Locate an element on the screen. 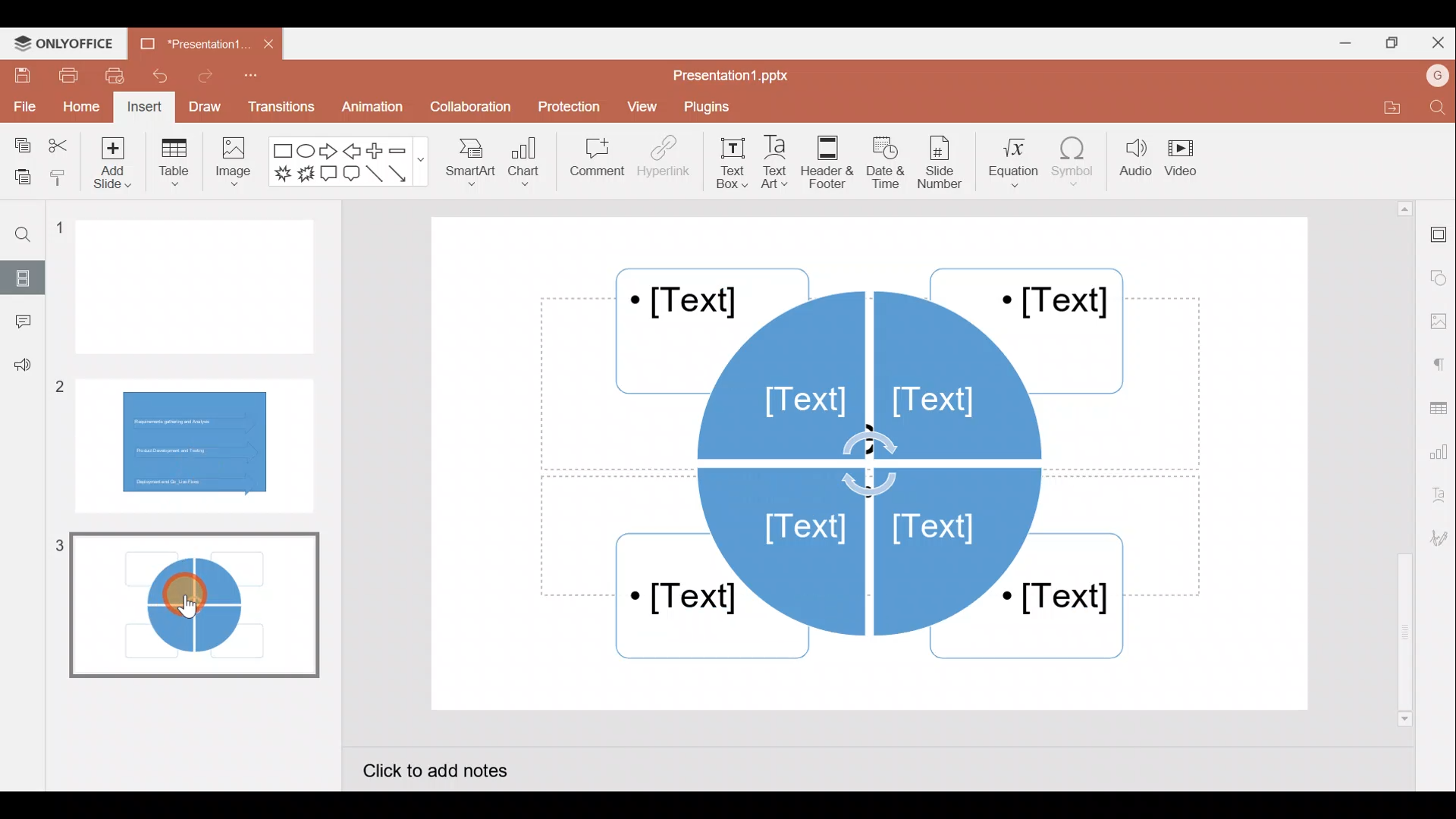 Image resolution: width=1456 pixels, height=819 pixels. Close document is located at coordinates (262, 45).